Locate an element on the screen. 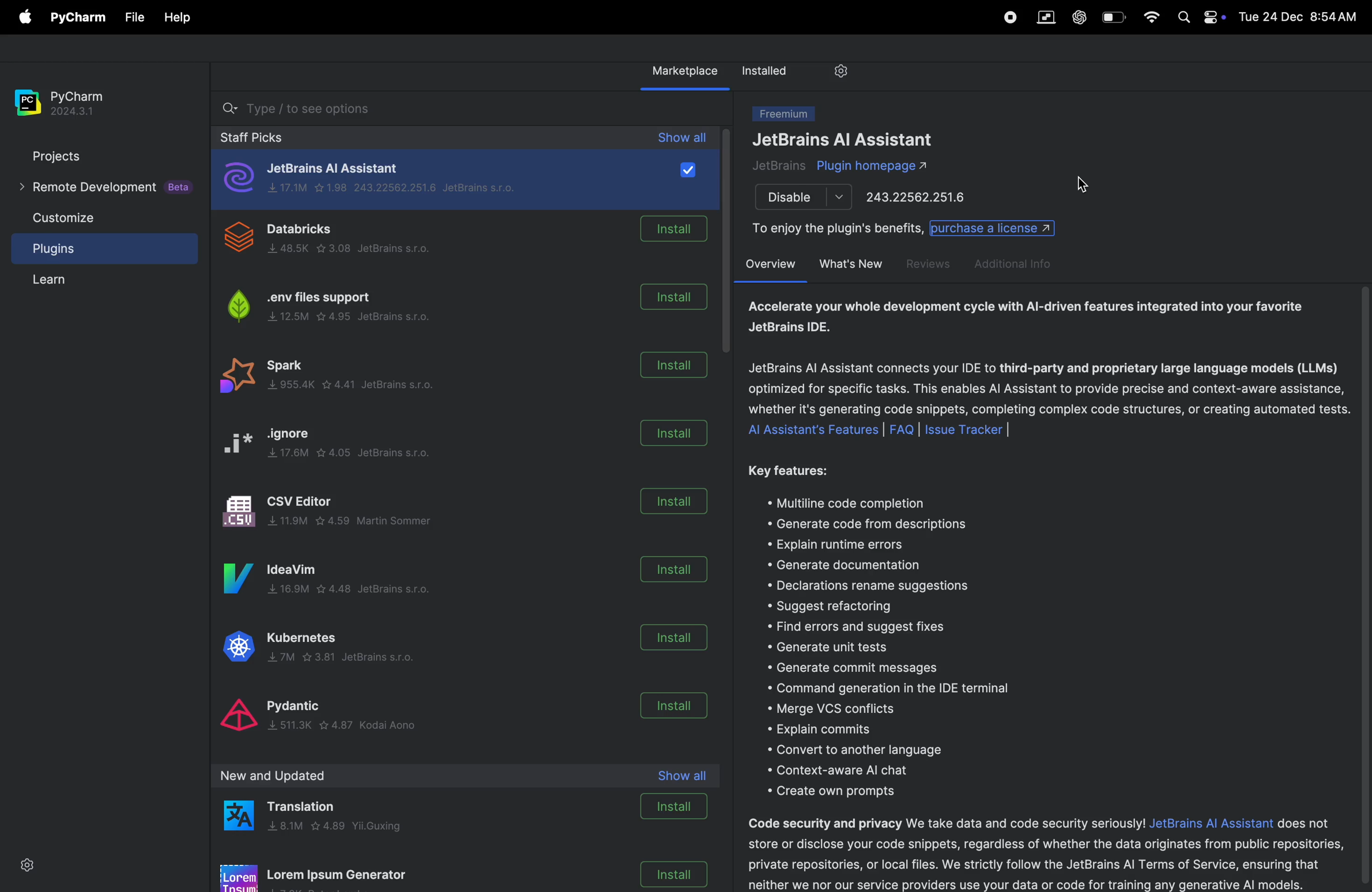  whats new is located at coordinates (851, 264).